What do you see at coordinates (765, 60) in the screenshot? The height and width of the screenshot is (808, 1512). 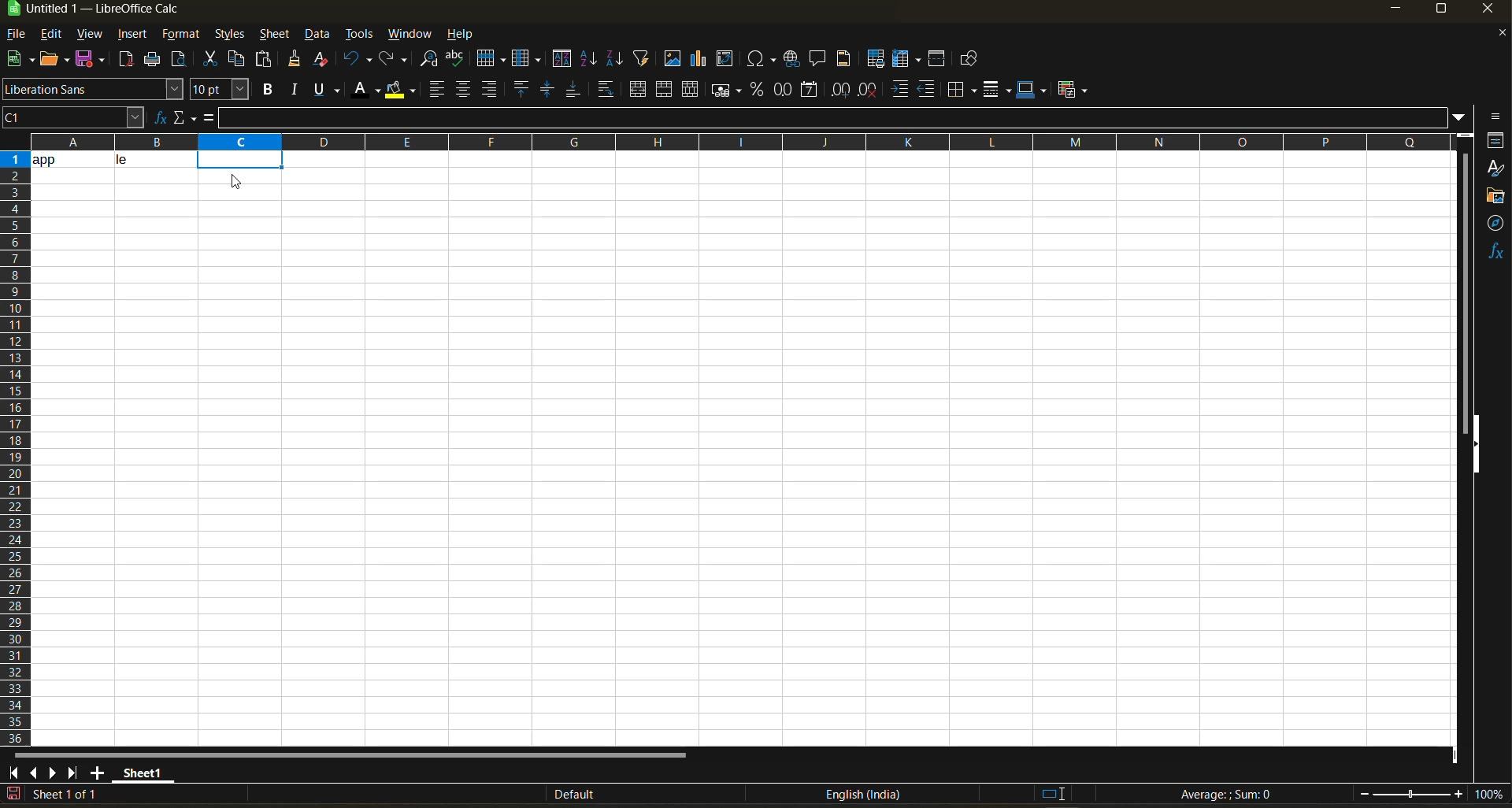 I see `insert special characters` at bounding box center [765, 60].